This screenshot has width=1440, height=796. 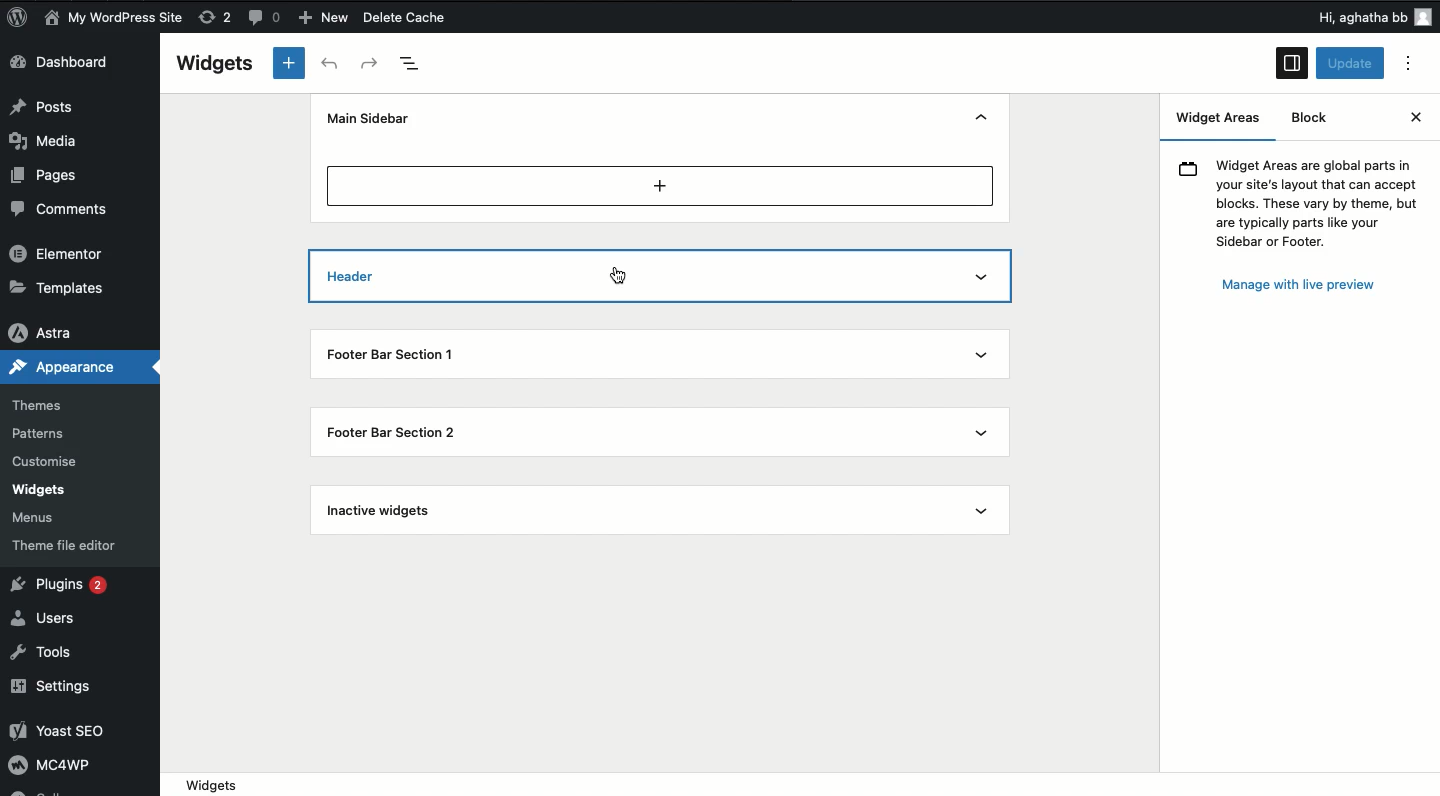 What do you see at coordinates (620, 275) in the screenshot?
I see `cursor` at bounding box center [620, 275].